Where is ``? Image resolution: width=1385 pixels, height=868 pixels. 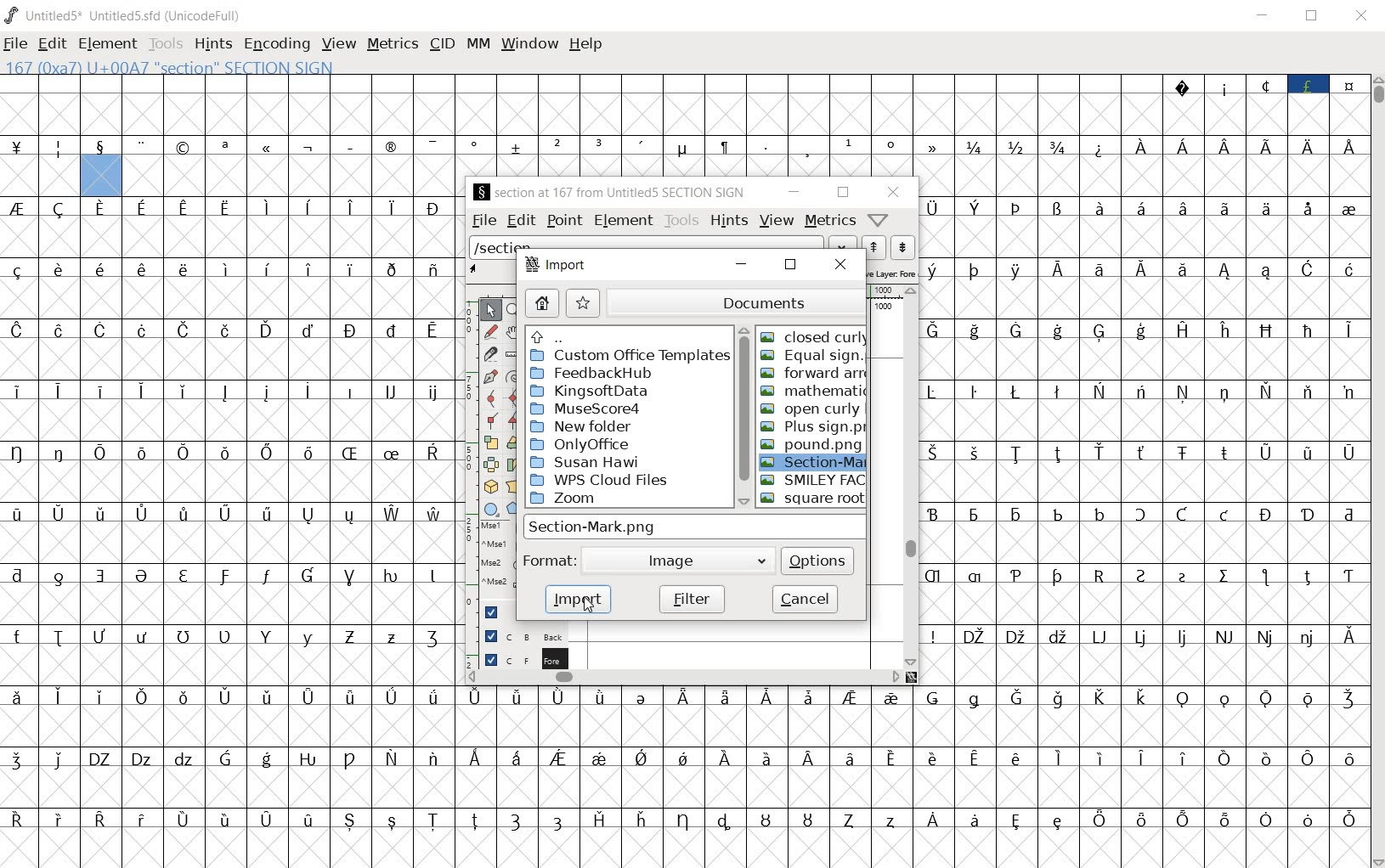
 is located at coordinates (1142, 452).